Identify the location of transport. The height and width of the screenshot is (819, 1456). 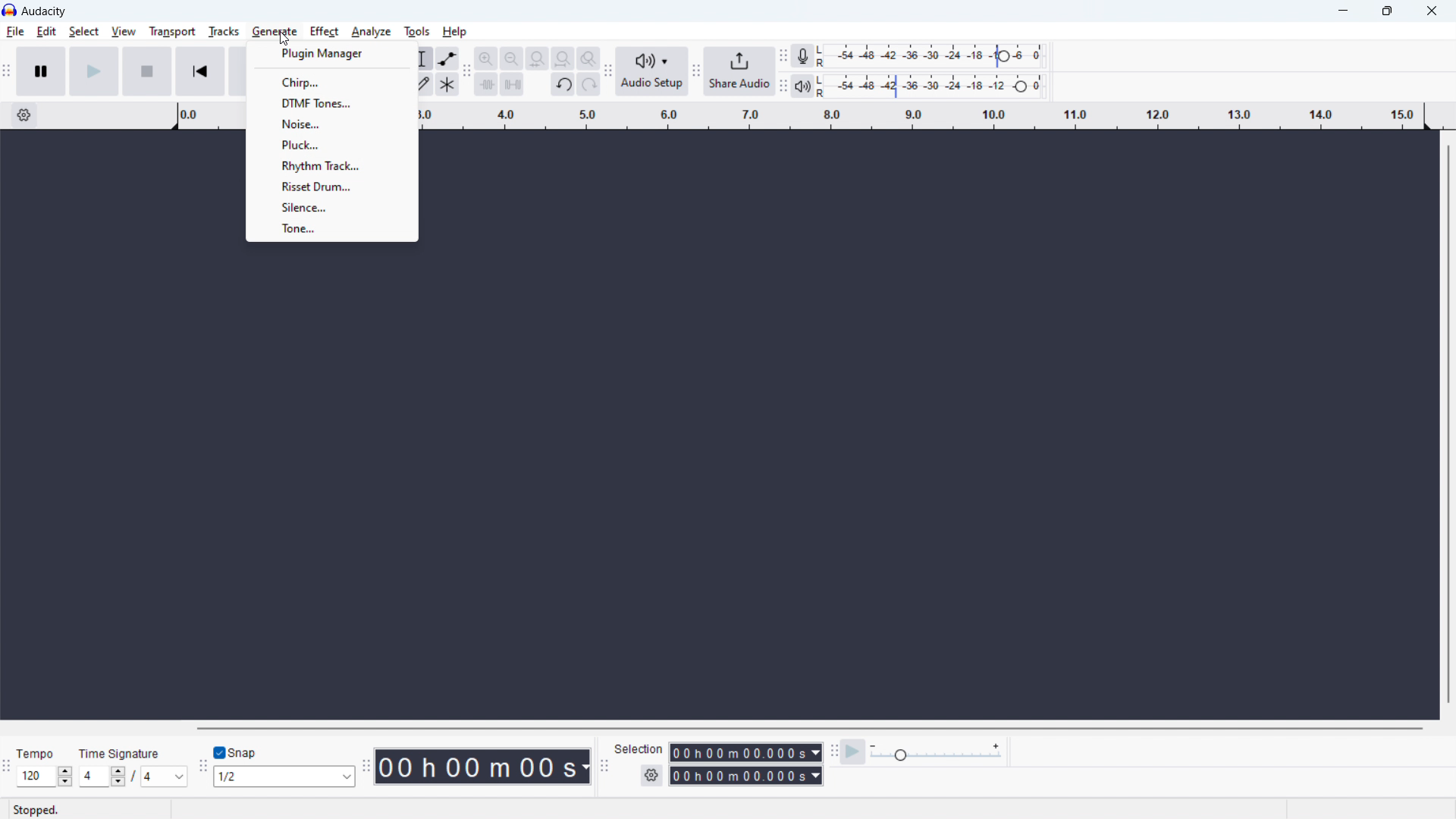
(172, 31).